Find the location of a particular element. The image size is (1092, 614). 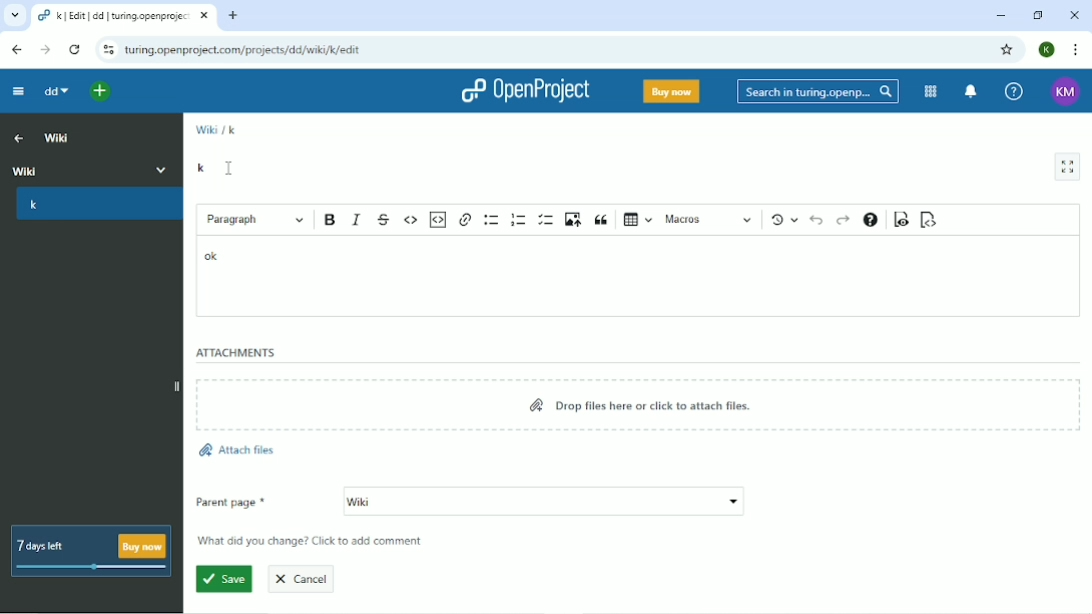

Bold is located at coordinates (330, 221).